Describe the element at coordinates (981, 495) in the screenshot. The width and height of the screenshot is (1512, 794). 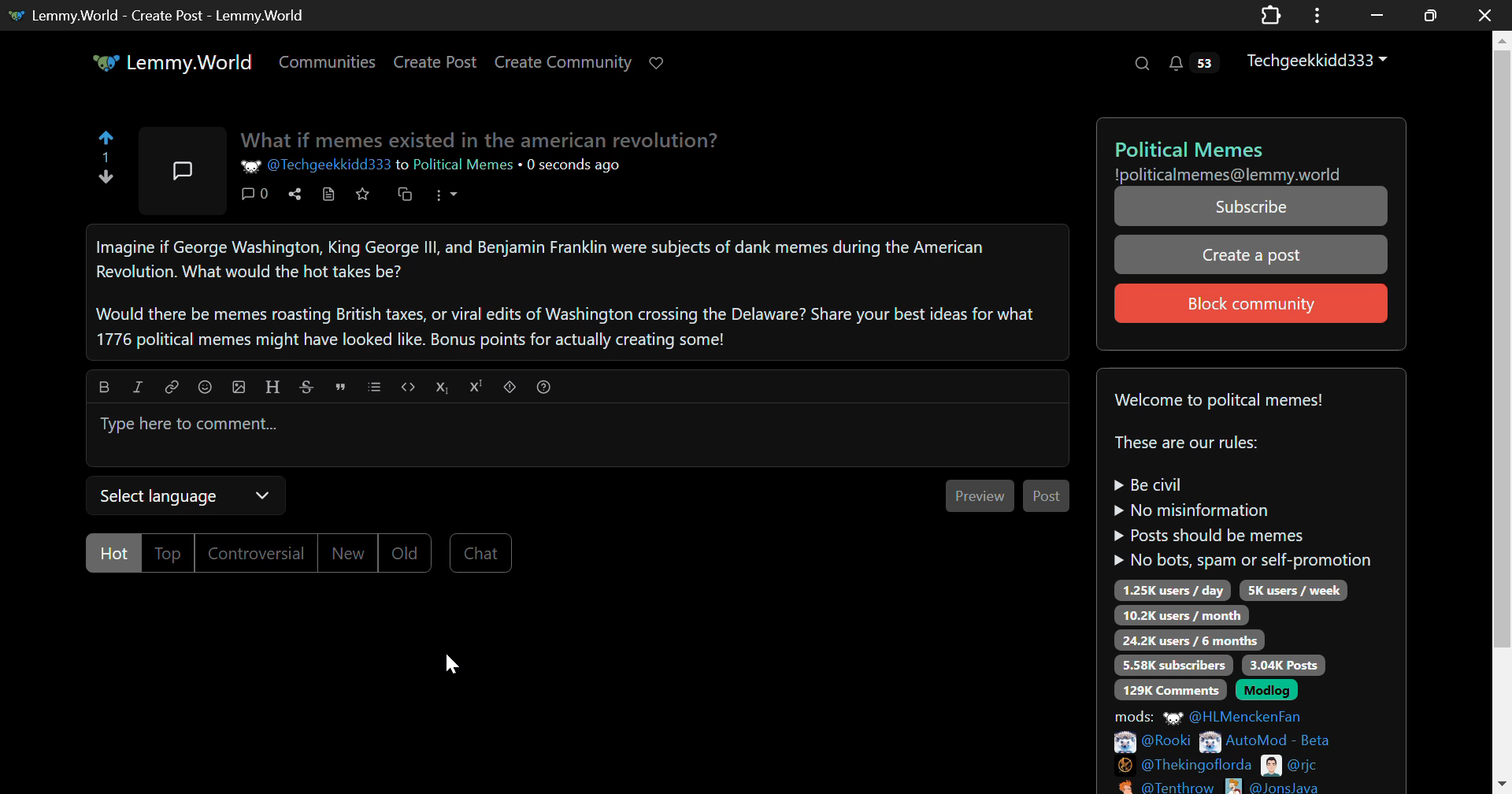
I see `Comment Preview Button` at that location.